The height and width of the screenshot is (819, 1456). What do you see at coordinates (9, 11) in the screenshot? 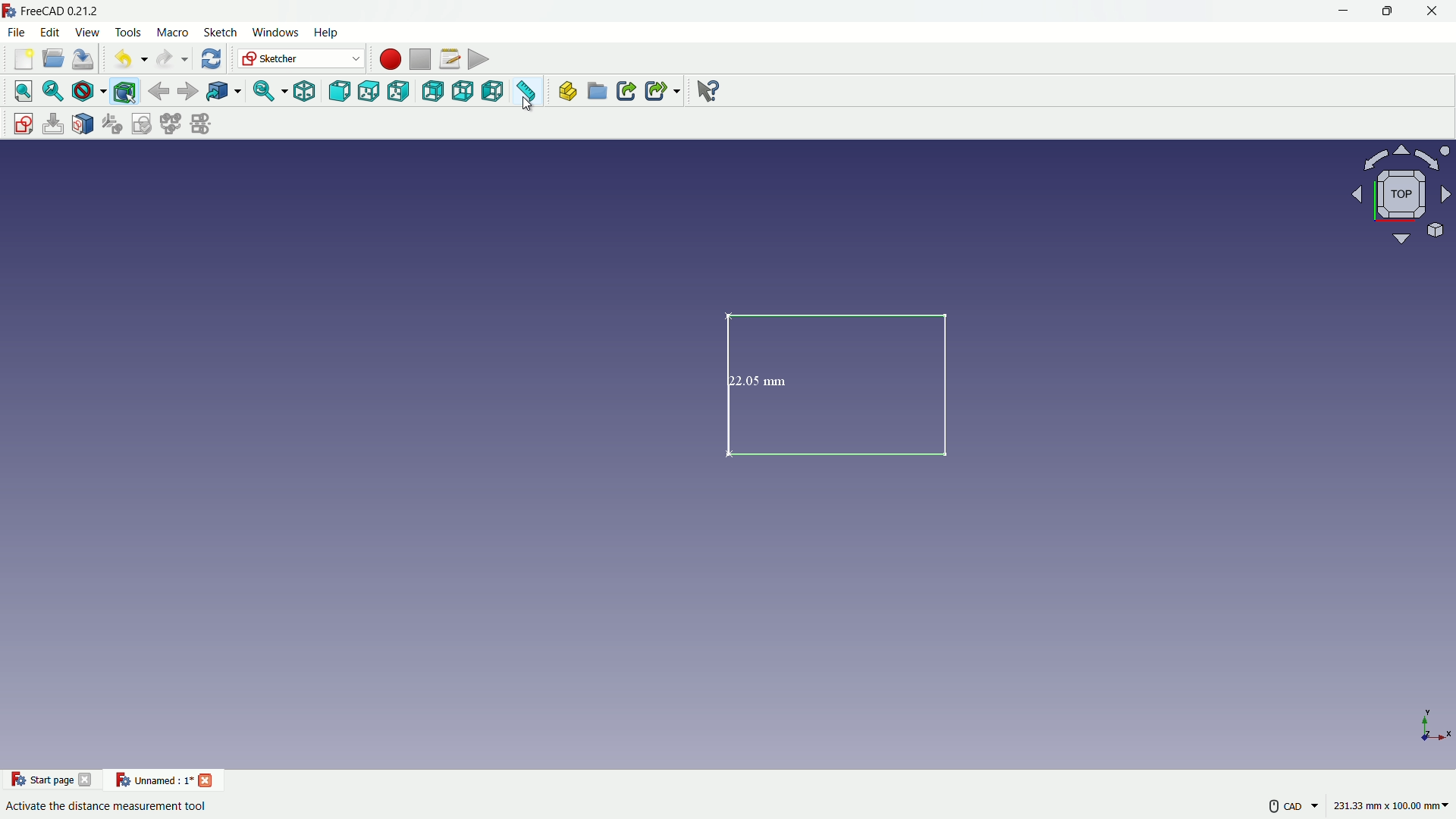
I see `FreeCAD logo` at bounding box center [9, 11].